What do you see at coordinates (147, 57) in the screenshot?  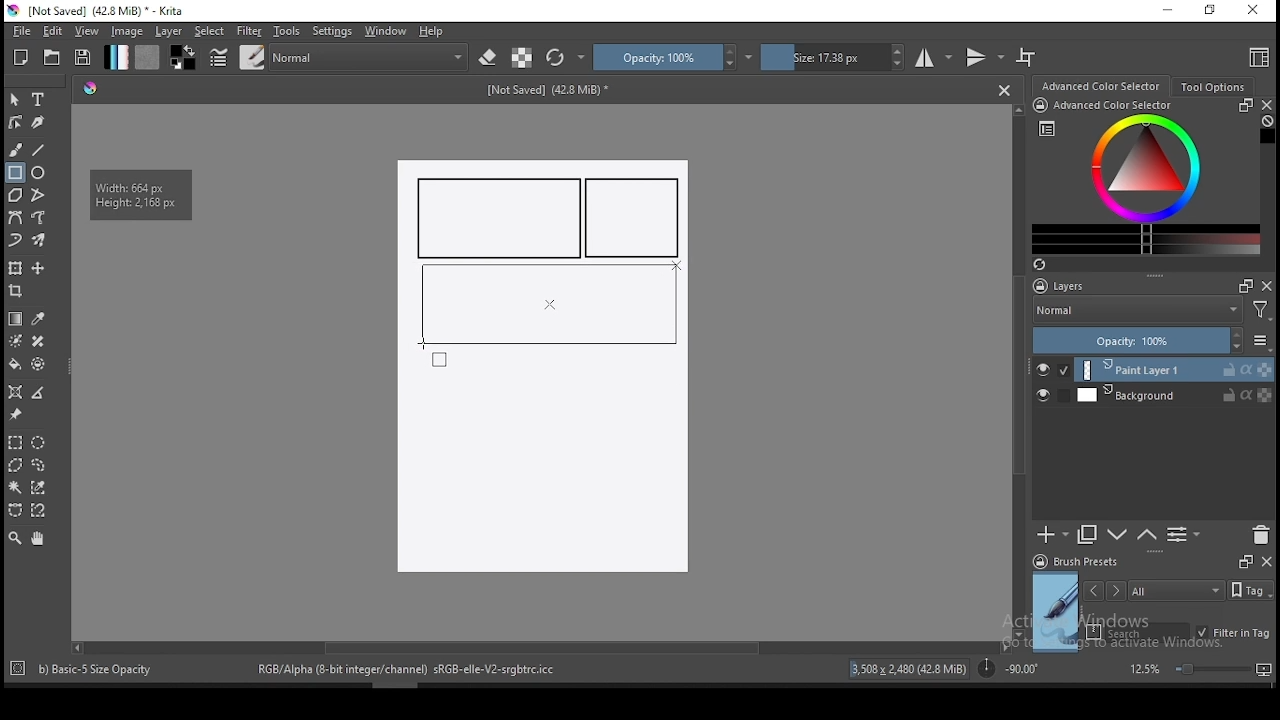 I see `pattern` at bounding box center [147, 57].